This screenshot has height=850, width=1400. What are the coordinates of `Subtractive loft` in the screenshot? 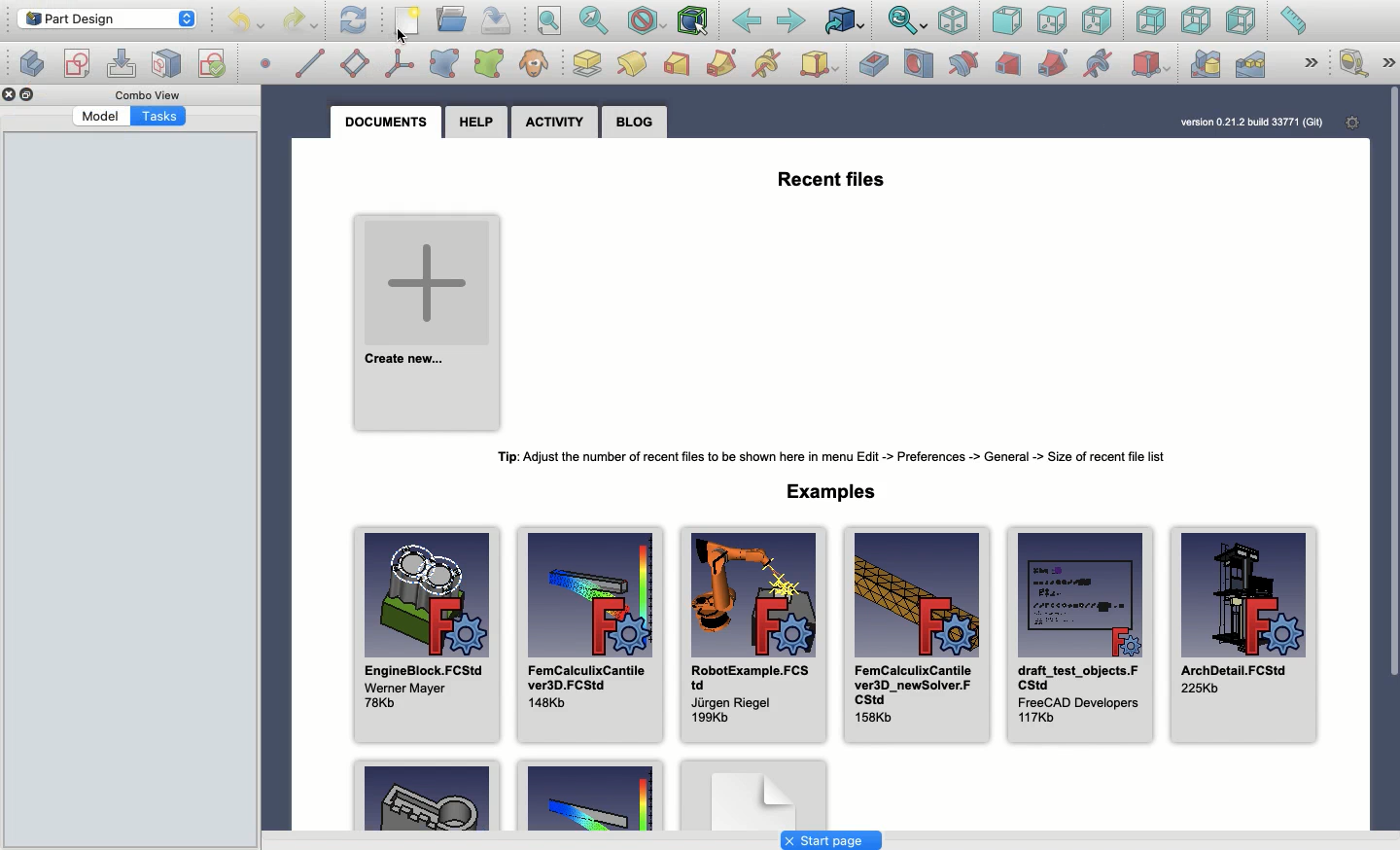 It's located at (1010, 66).